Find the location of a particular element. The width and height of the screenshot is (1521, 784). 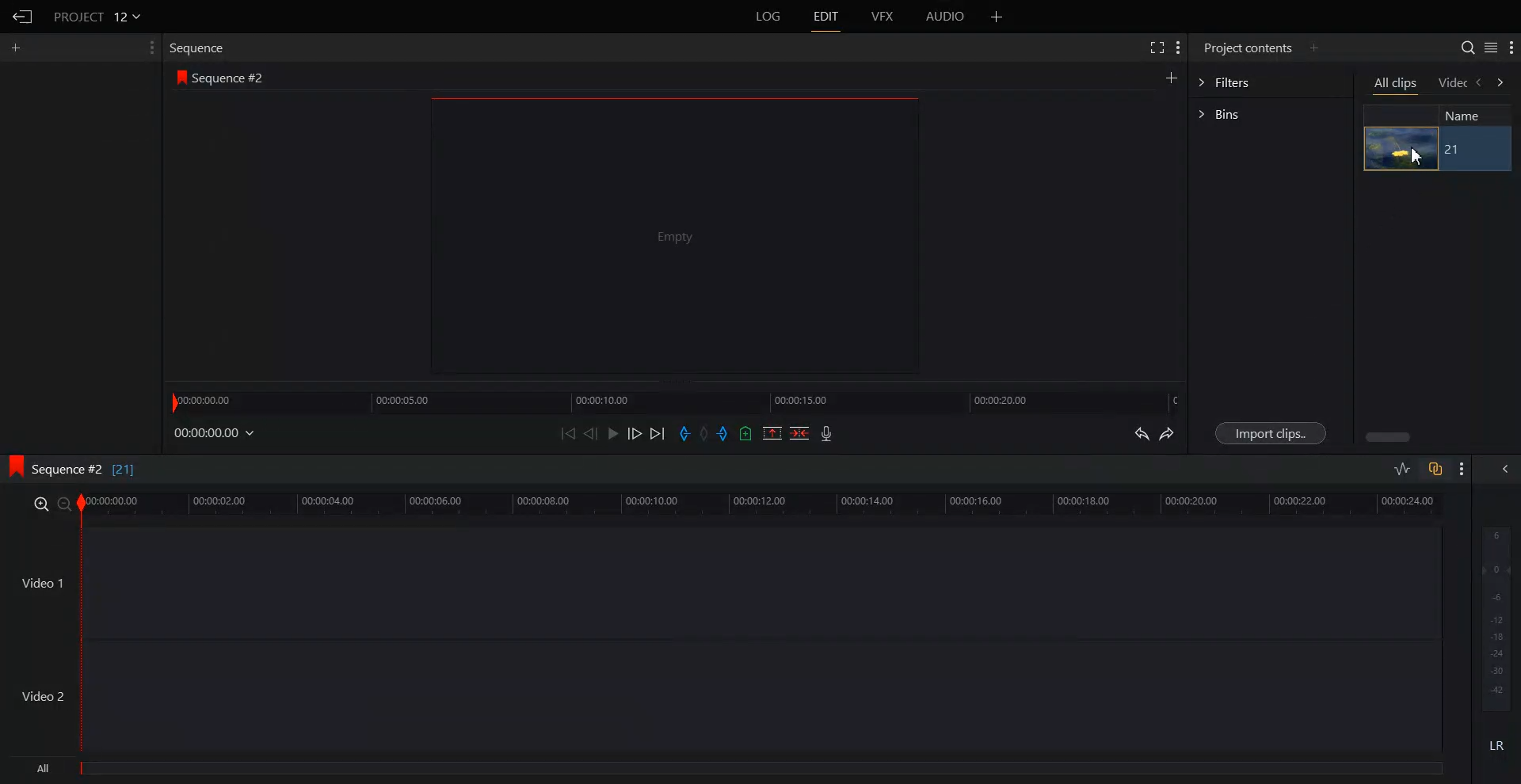

Show Full audio mix is located at coordinates (1500, 469).